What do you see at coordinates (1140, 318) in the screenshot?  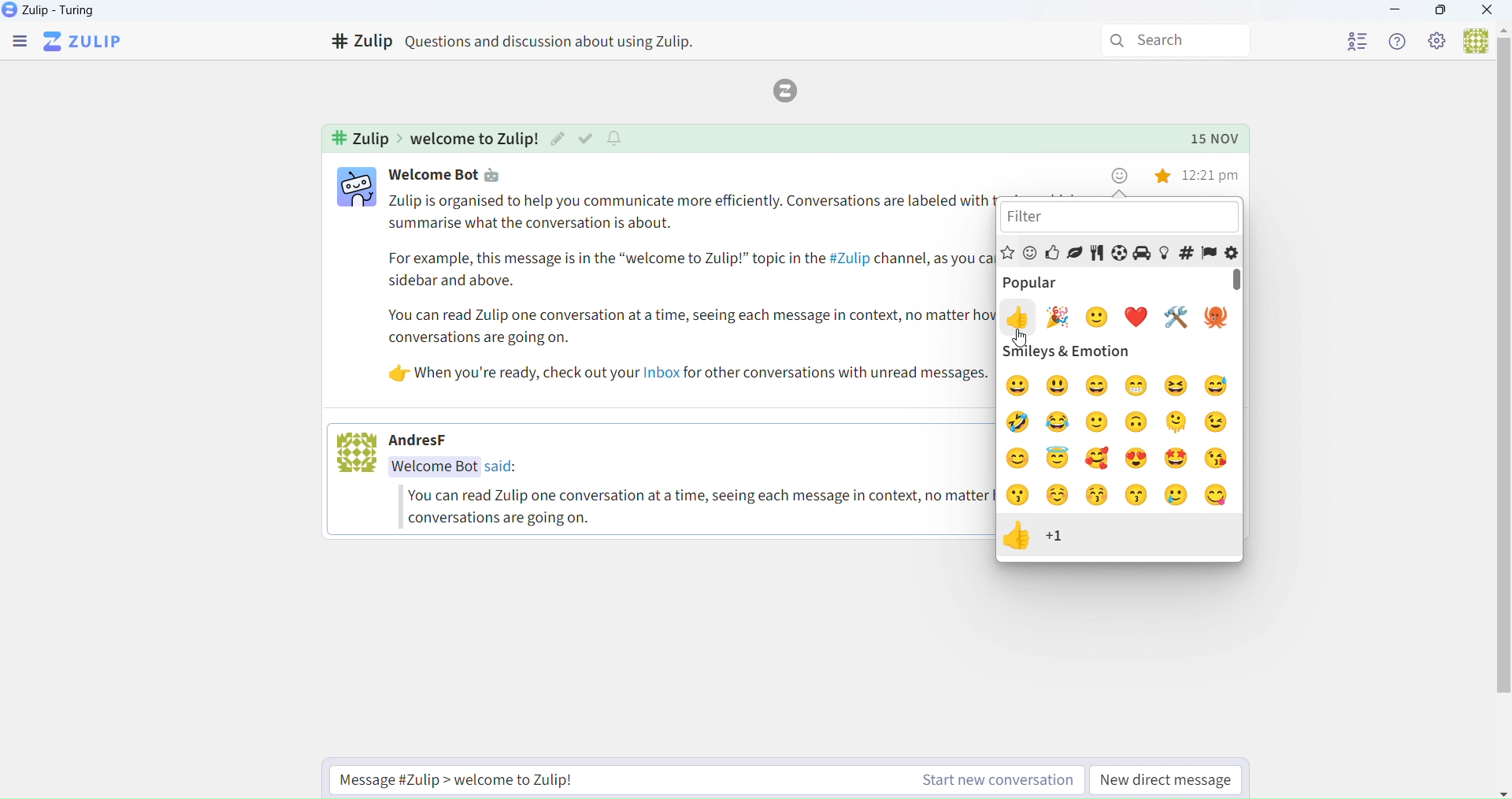 I see `red heart` at bounding box center [1140, 318].